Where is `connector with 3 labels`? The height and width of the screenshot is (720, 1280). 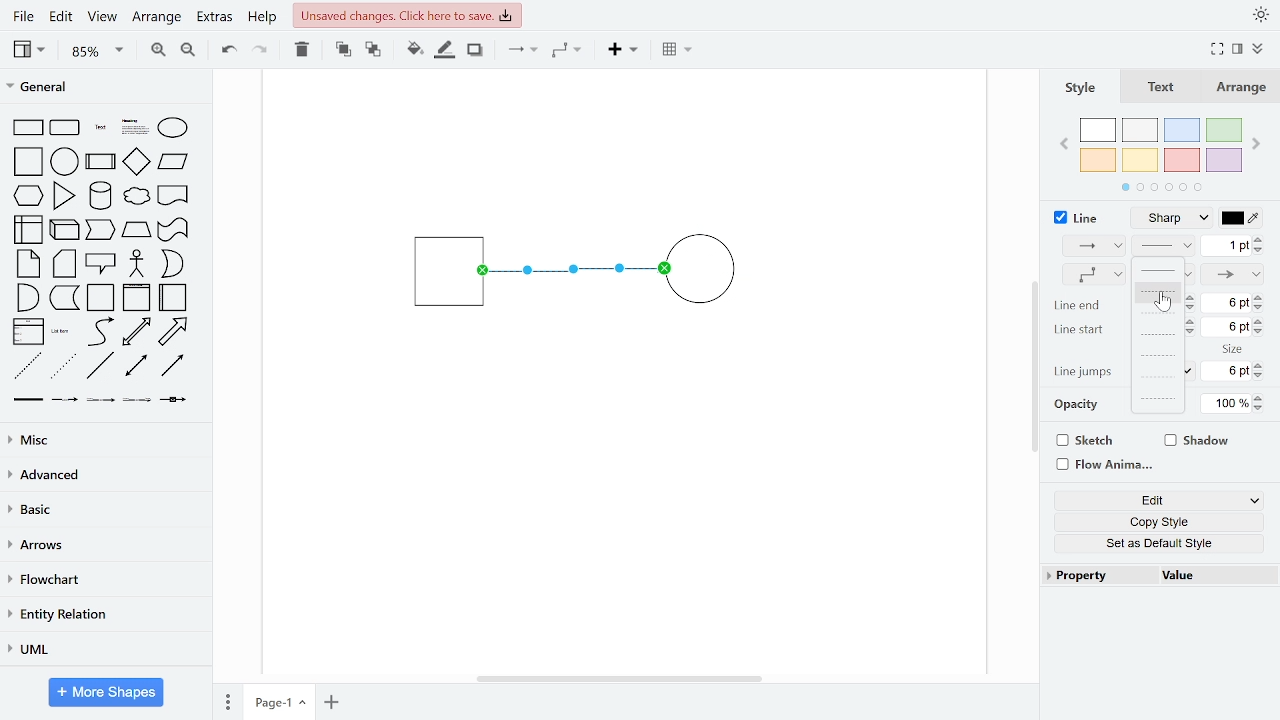
connector with 3 labels is located at coordinates (139, 401).